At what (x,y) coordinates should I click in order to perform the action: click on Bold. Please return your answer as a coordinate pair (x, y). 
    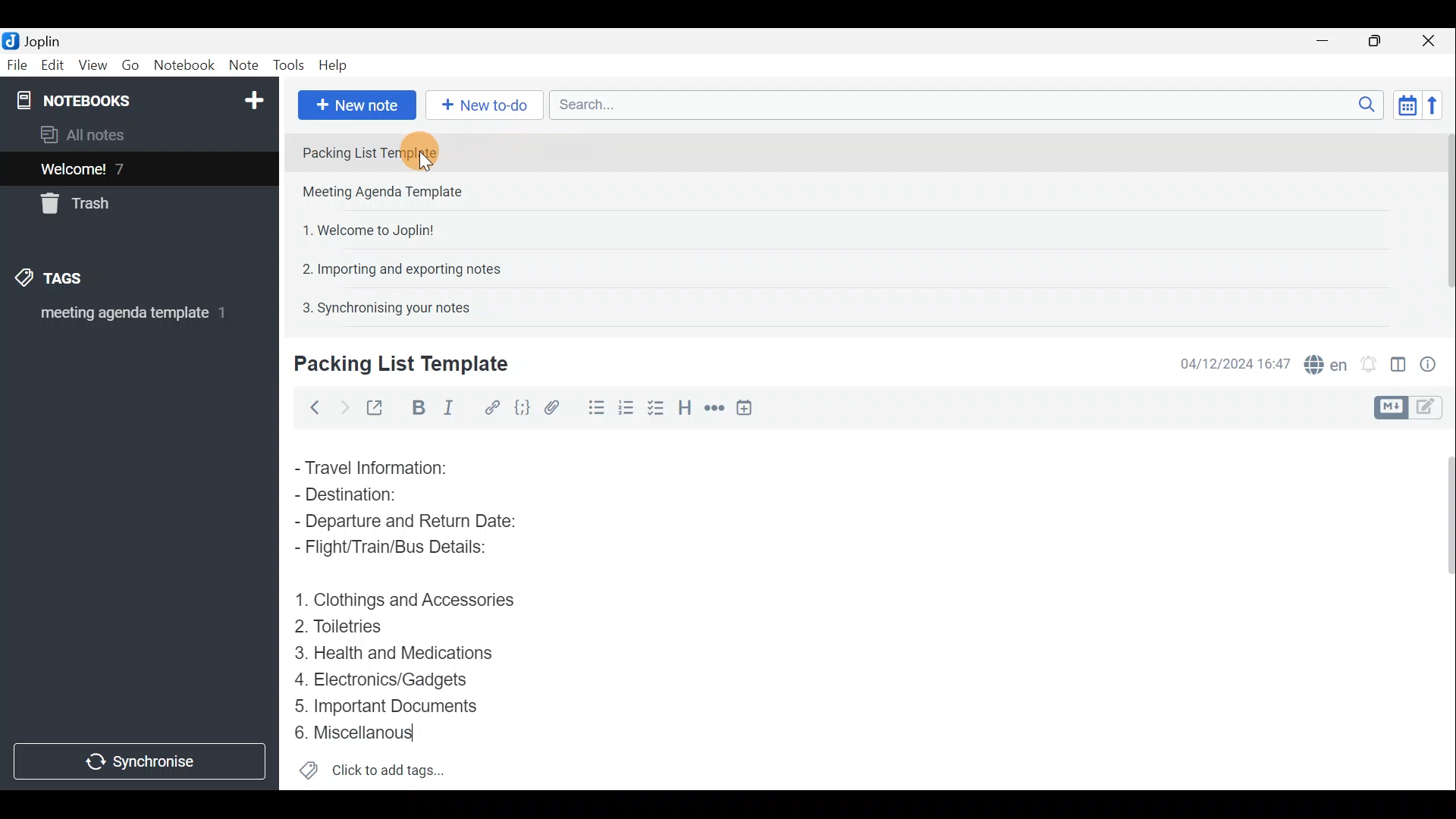
    Looking at the image, I should click on (416, 406).